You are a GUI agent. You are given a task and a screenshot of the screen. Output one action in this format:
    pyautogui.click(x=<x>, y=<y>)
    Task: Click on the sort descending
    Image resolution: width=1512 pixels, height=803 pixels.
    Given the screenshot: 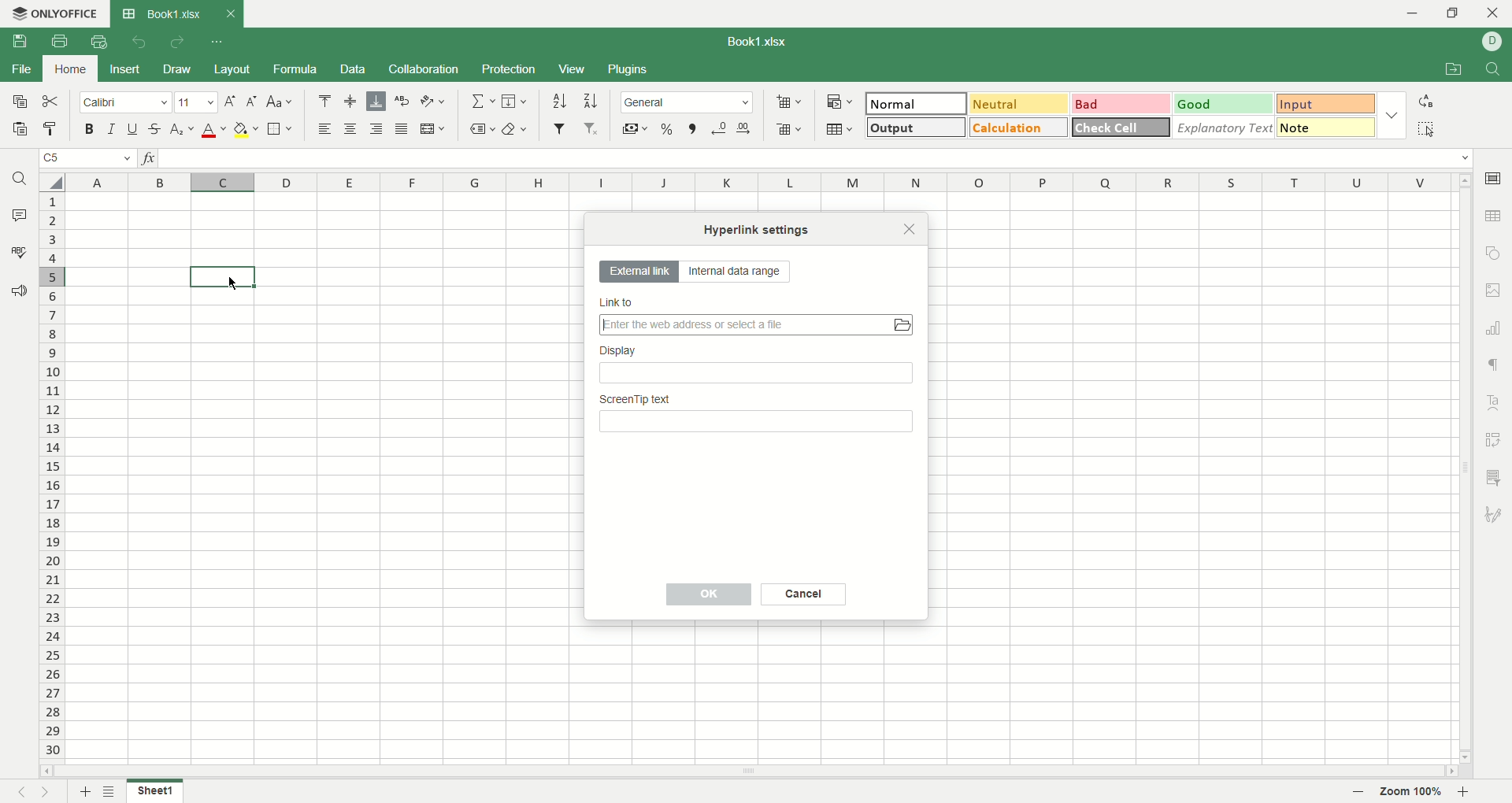 What is the action you would take?
    pyautogui.click(x=591, y=101)
    